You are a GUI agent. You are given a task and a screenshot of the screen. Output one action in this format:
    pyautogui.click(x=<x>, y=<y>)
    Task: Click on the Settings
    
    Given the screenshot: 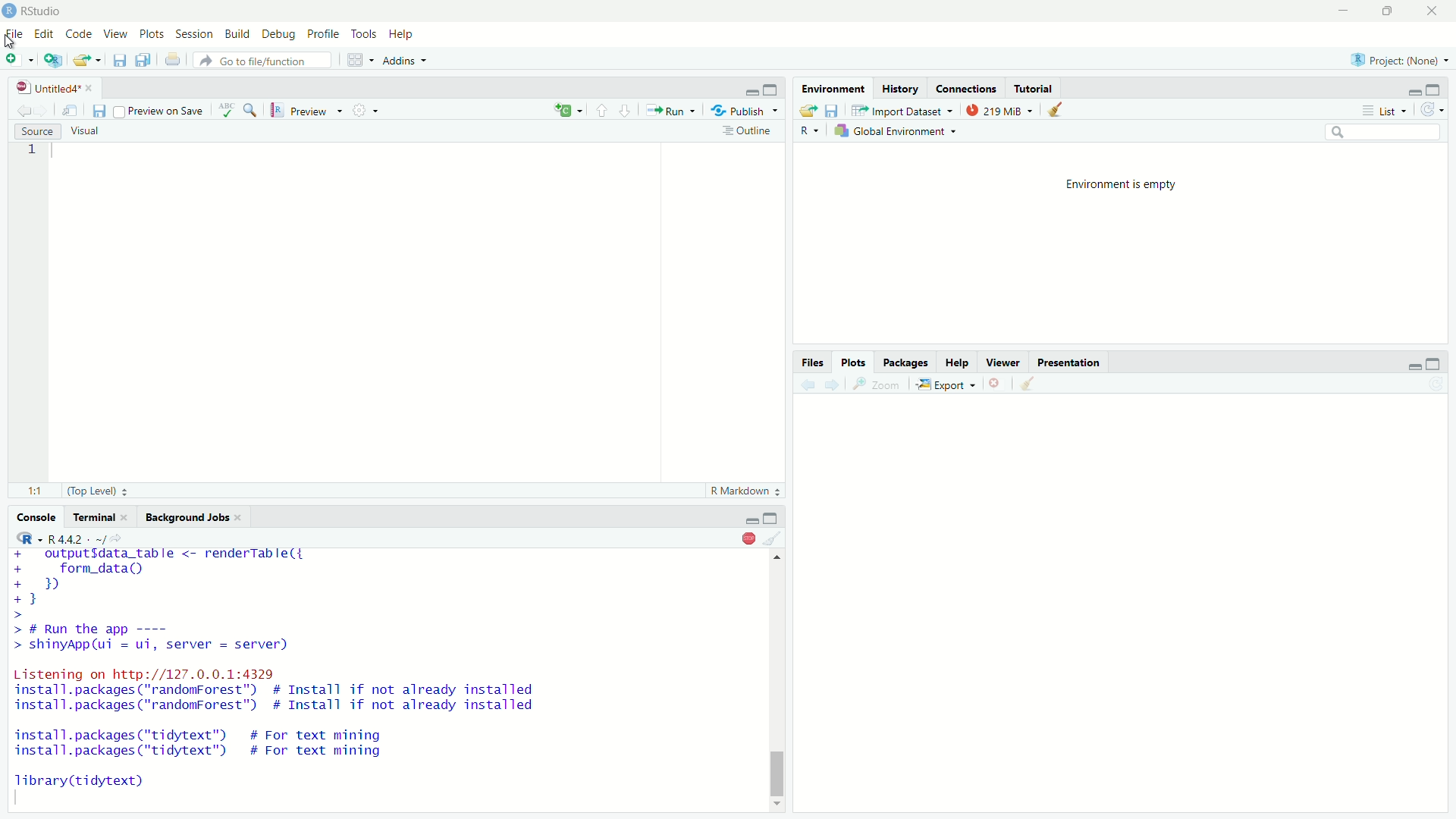 What is the action you would take?
    pyautogui.click(x=367, y=111)
    